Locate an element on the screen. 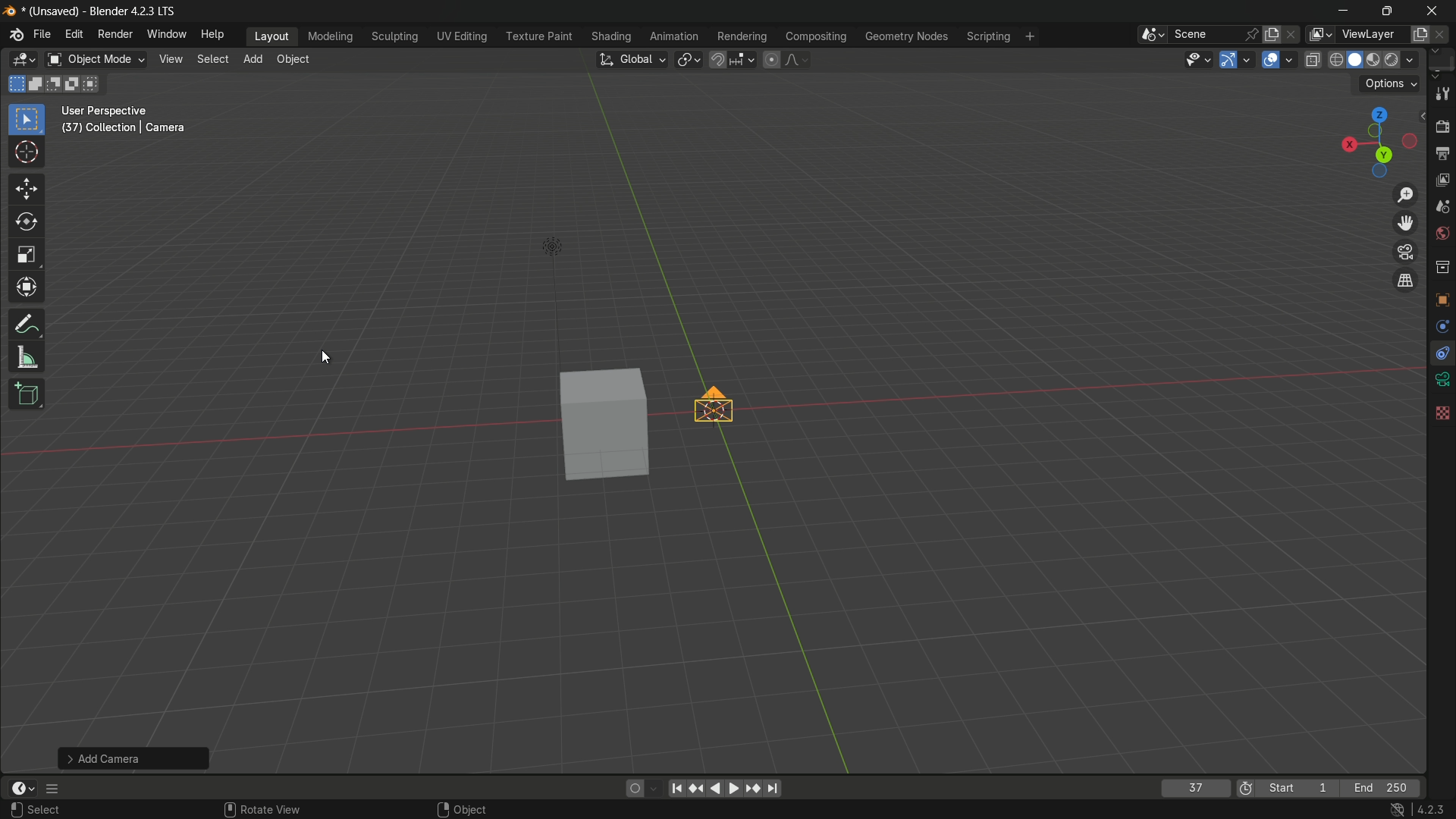 The height and width of the screenshot is (819, 1456). shading menu is located at coordinates (611, 37).